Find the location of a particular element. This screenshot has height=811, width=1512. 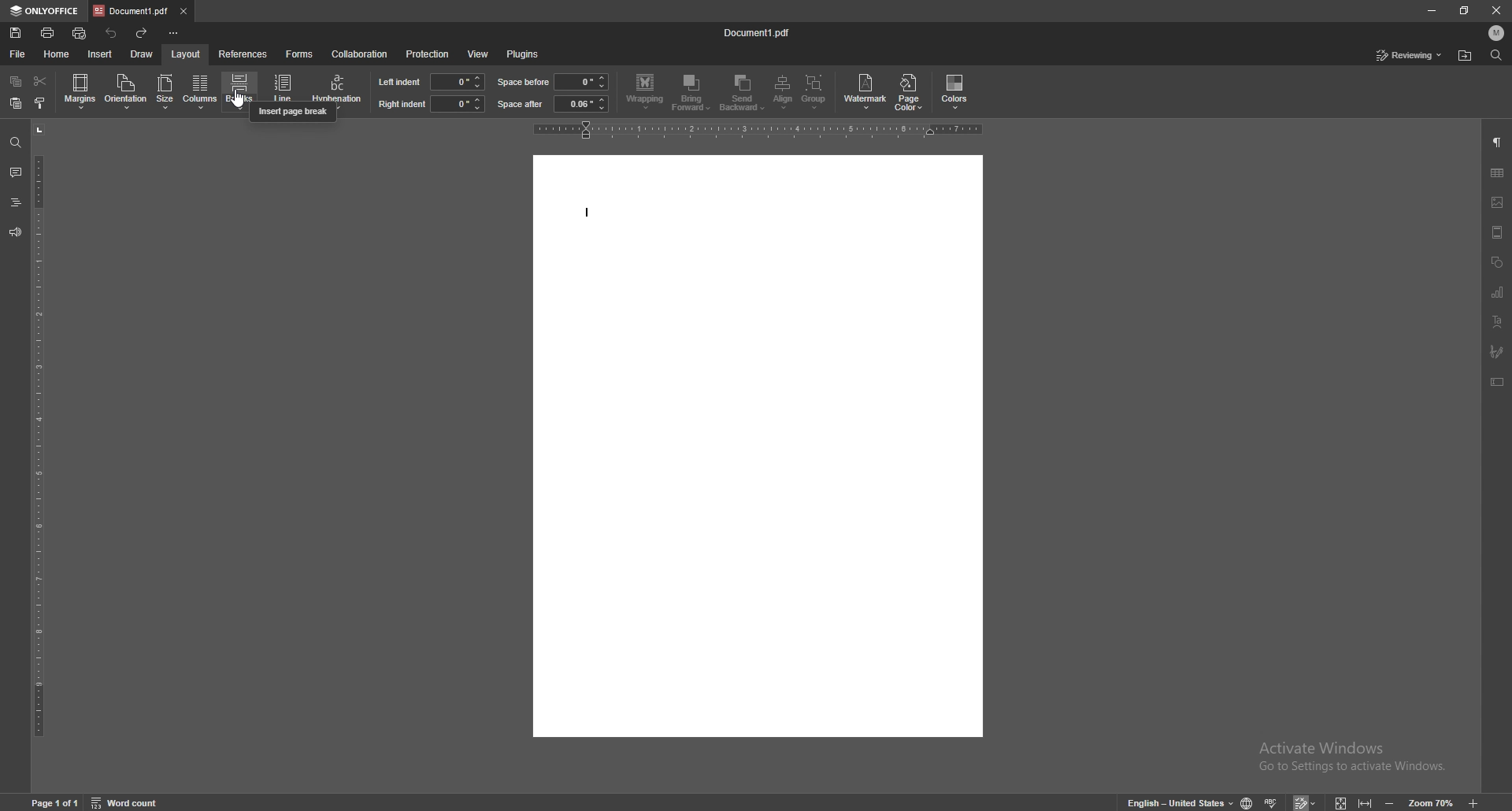

status is located at coordinates (1409, 55).